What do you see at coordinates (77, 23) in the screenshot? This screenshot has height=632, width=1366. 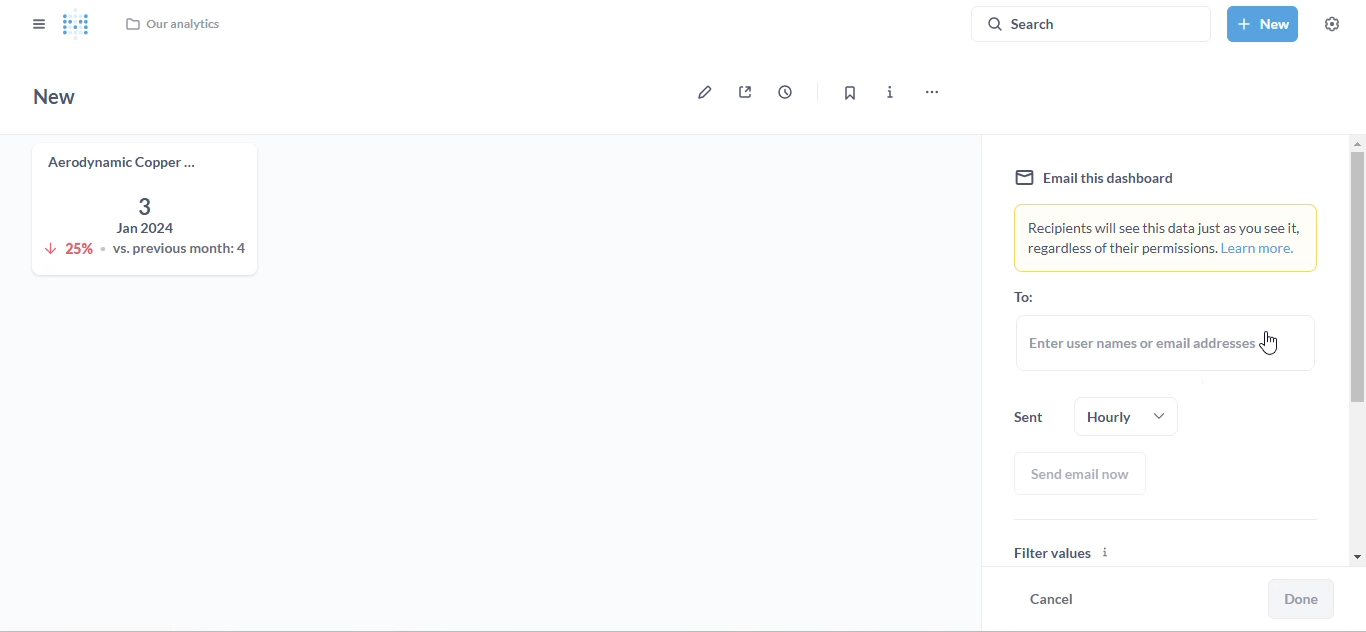 I see `logo` at bounding box center [77, 23].